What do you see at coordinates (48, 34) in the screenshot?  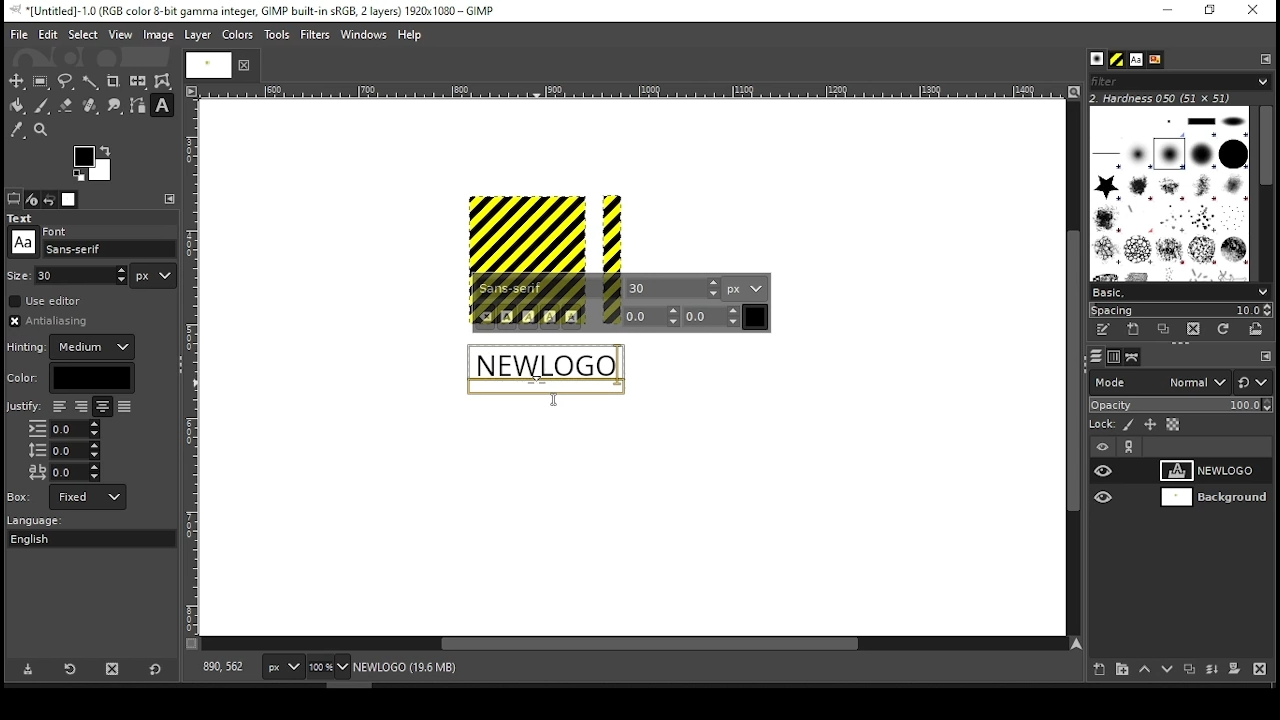 I see `edit` at bounding box center [48, 34].